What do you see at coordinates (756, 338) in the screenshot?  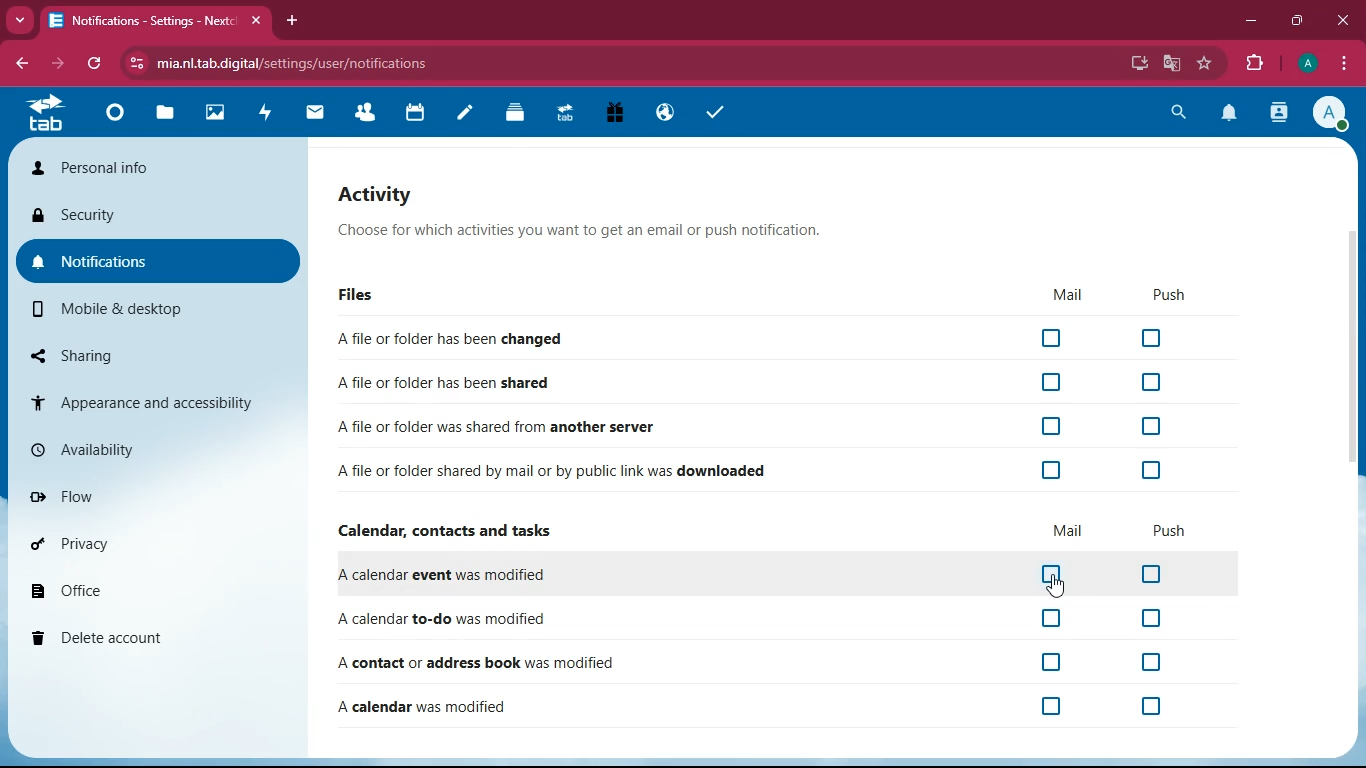 I see `A file or folder has been changed` at bounding box center [756, 338].